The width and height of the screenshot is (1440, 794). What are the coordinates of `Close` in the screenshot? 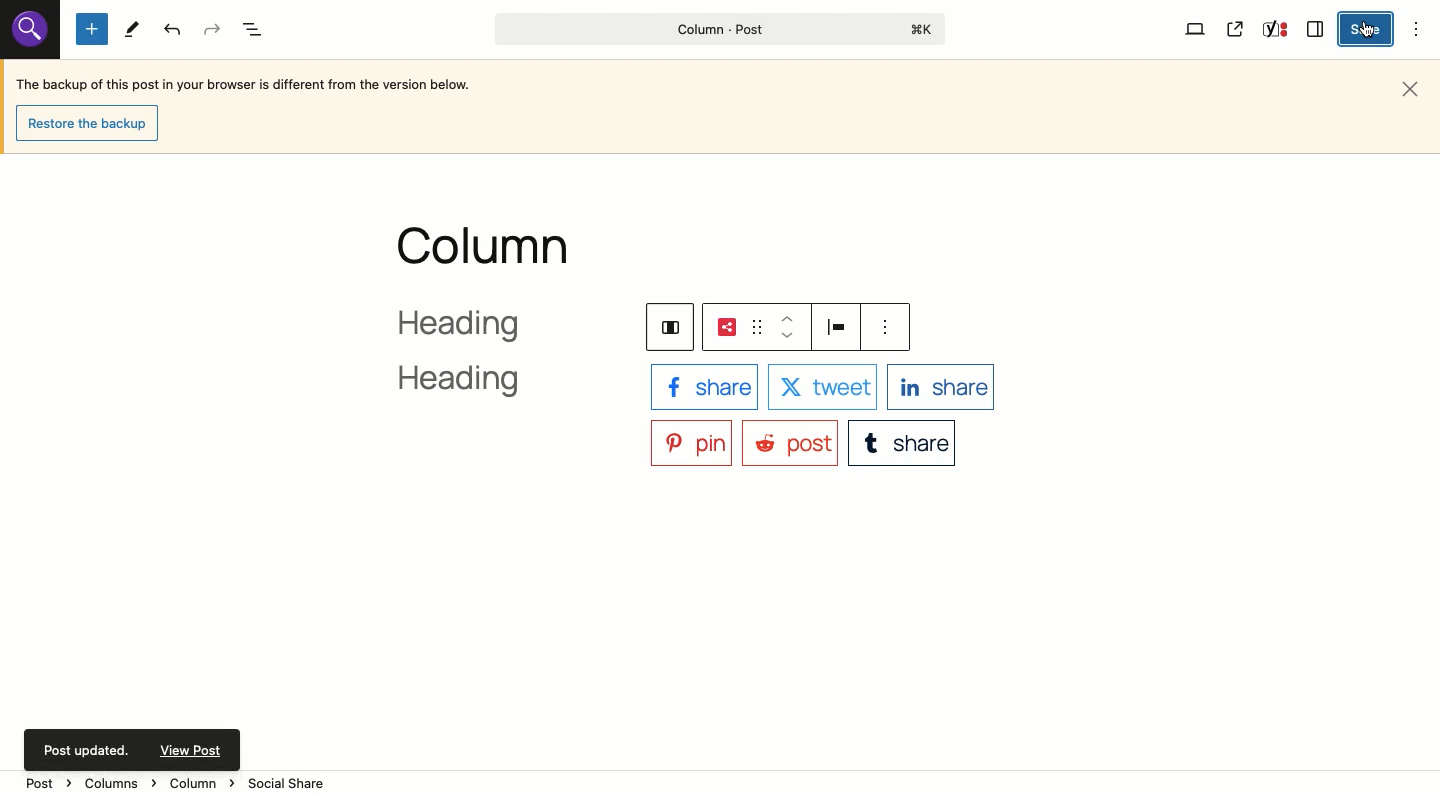 It's located at (1414, 87).